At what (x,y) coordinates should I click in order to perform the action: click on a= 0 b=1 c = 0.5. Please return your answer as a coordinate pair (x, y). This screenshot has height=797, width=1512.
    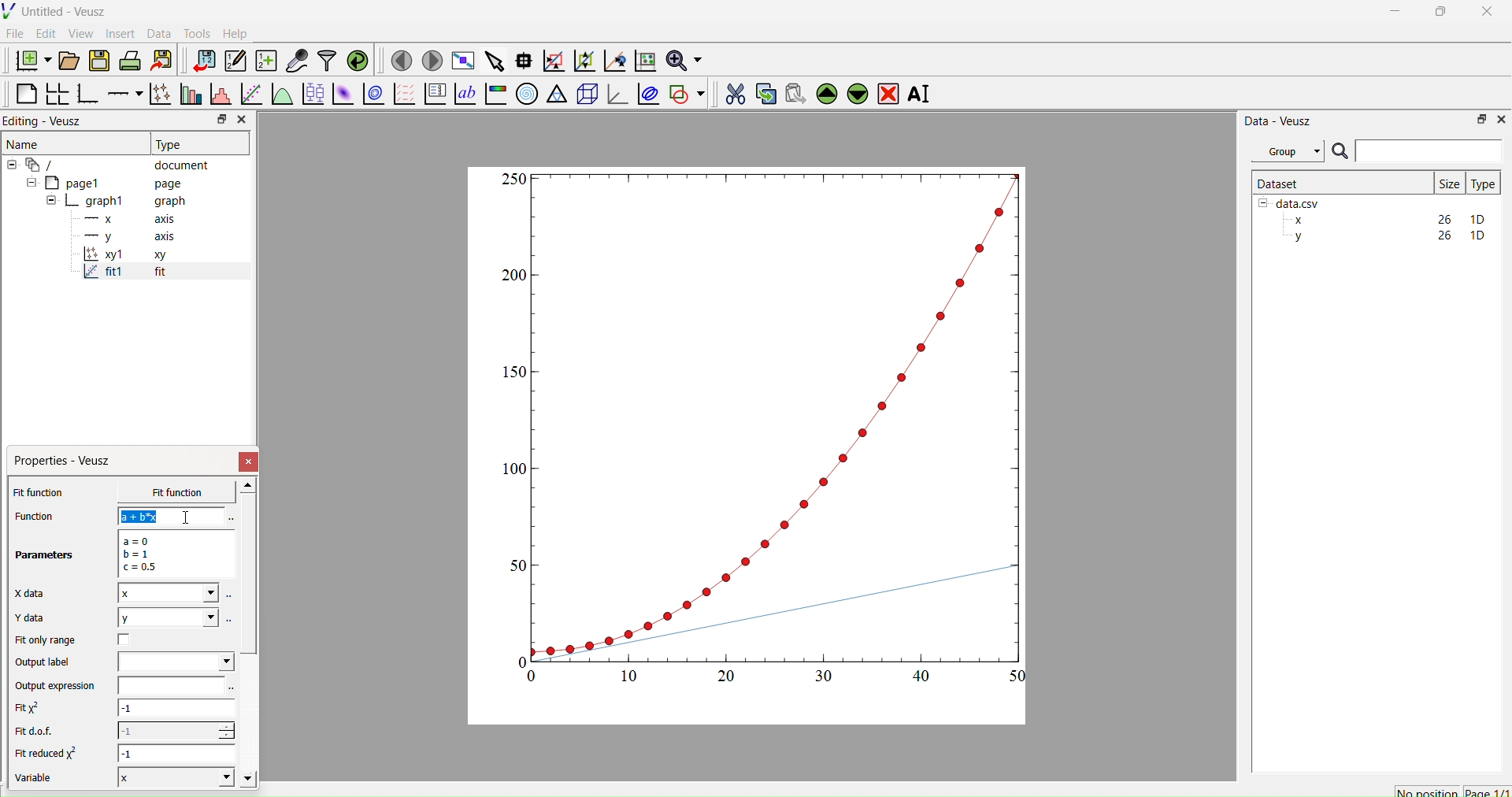
    Looking at the image, I should click on (173, 554).